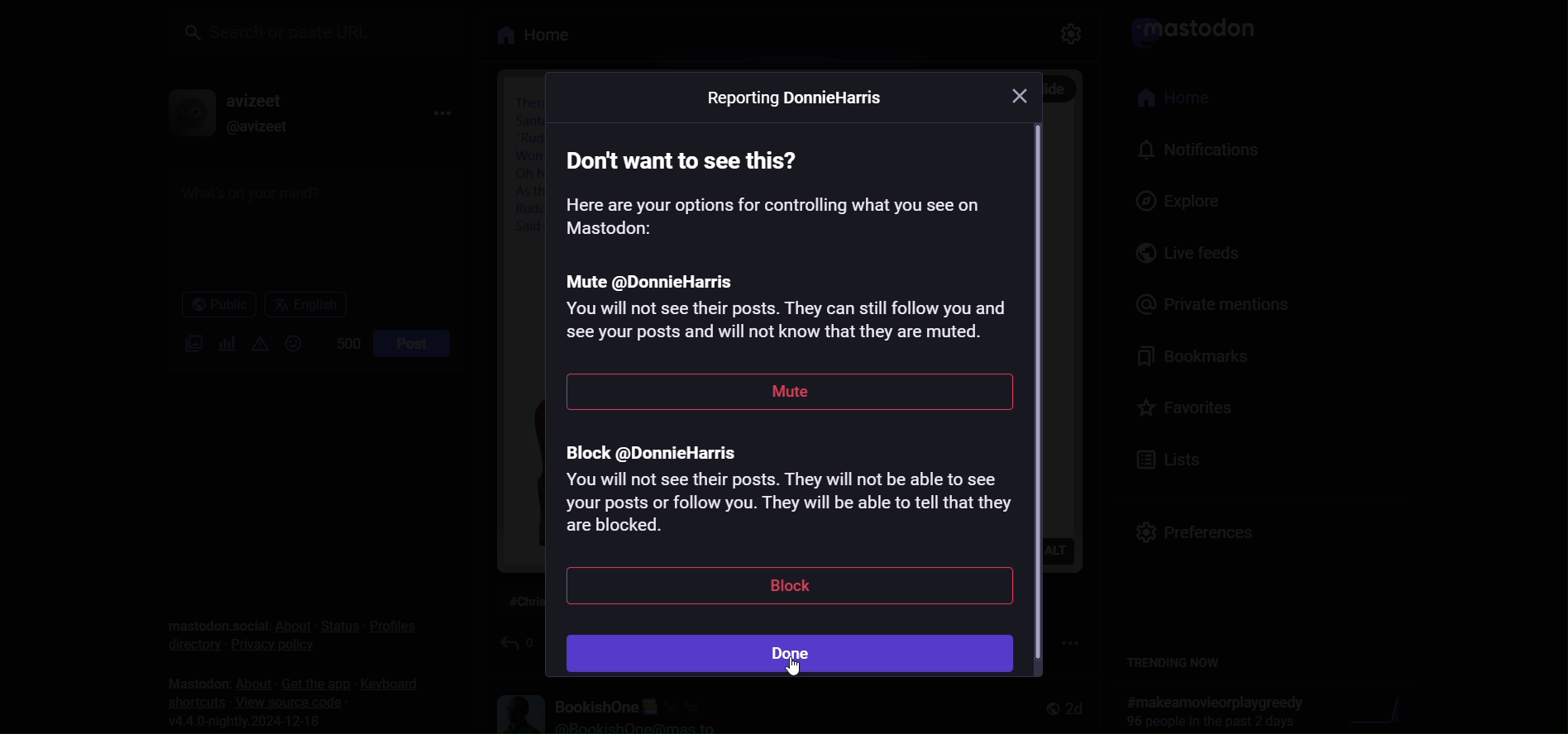 The image size is (1568, 734). Describe the element at coordinates (1188, 30) in the screenshot. I see `mastodon` at that location.